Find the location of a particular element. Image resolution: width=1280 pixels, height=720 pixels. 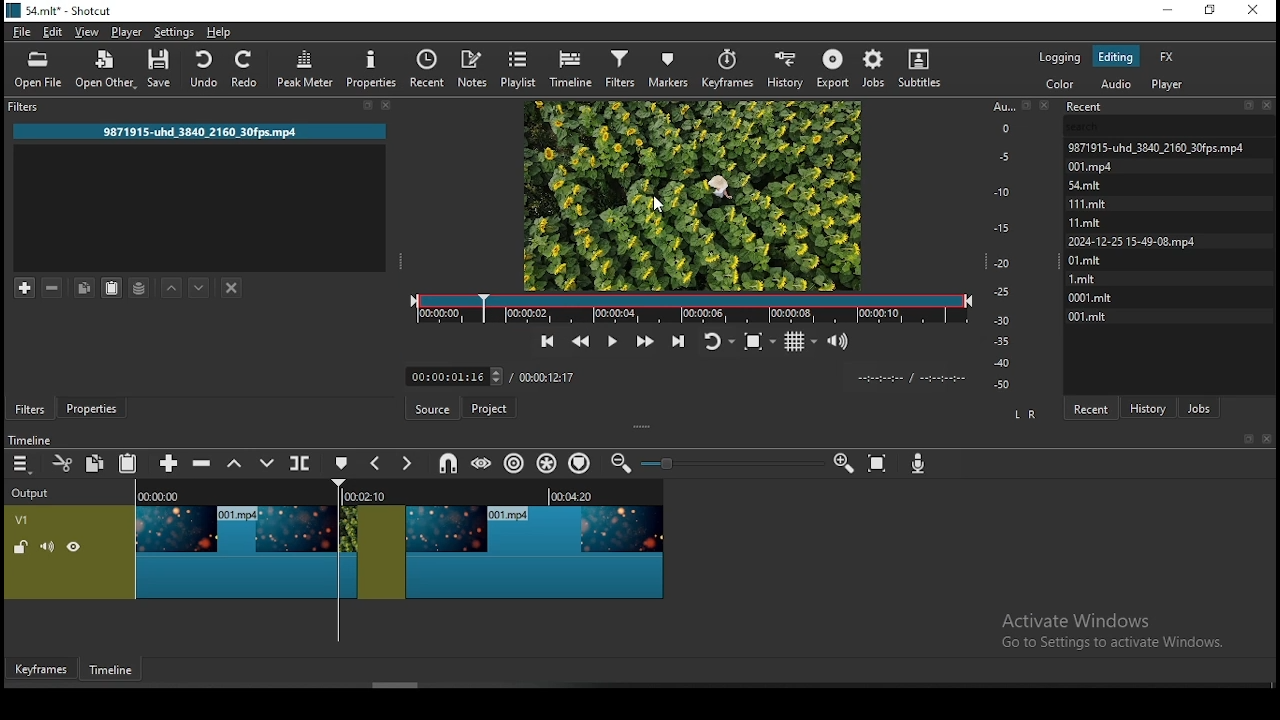

timeline is located at coordinates (113, 673).